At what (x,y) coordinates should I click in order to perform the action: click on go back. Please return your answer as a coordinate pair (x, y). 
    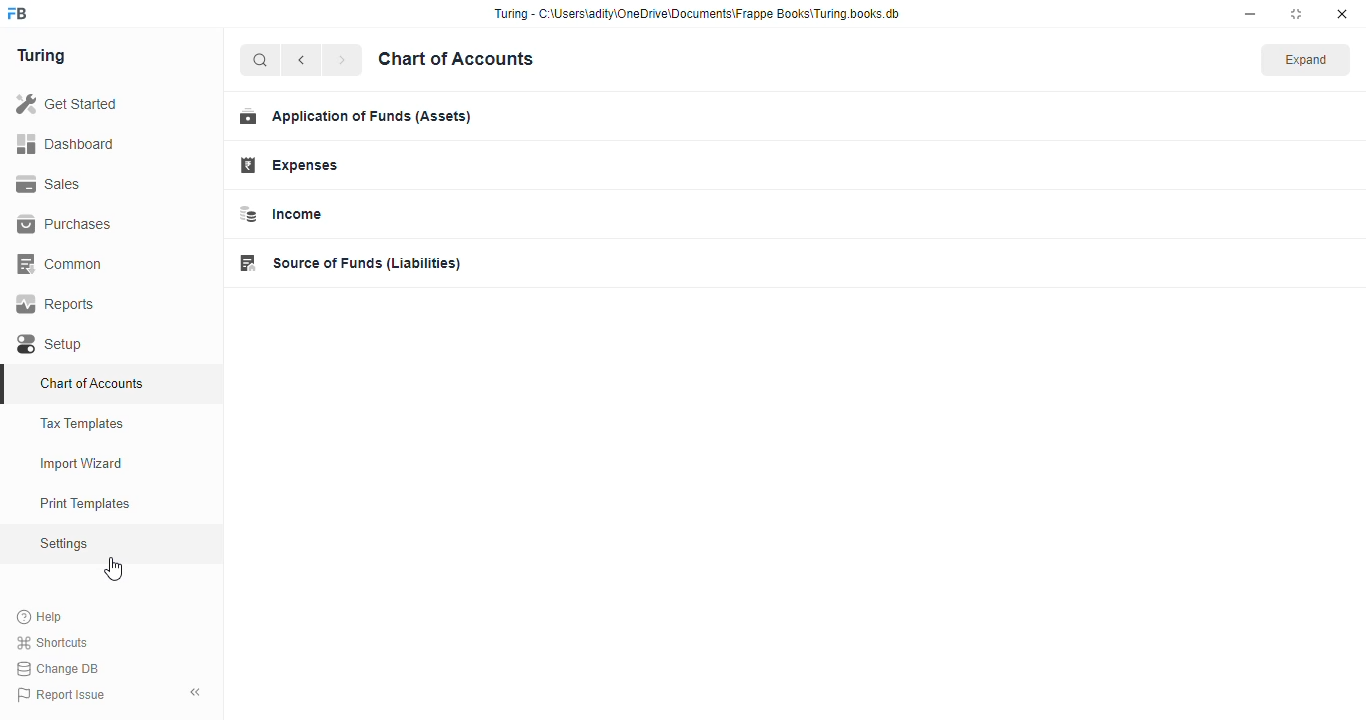
    Looking at the image, I should click on (302, 58).